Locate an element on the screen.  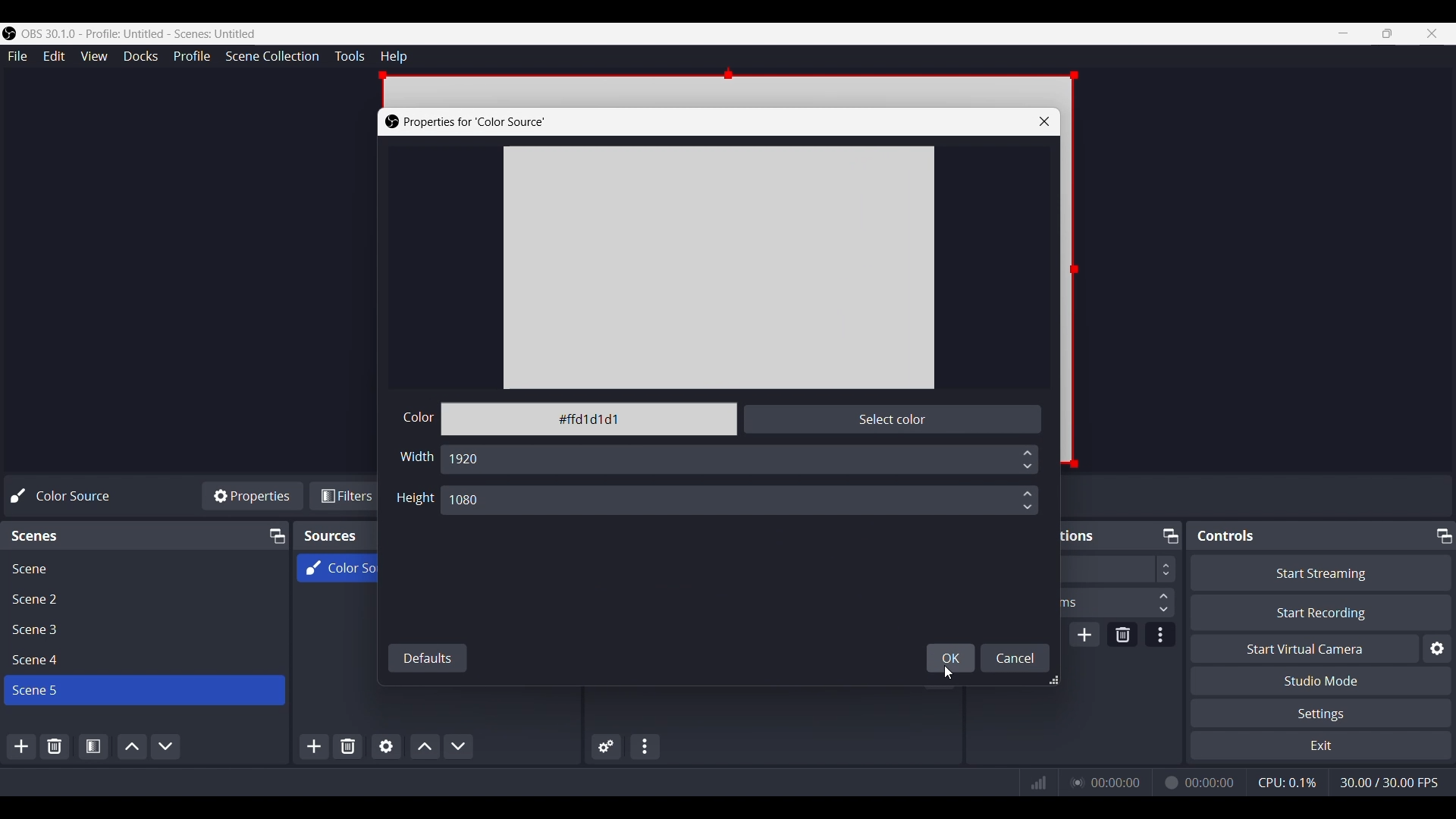
Add Sources is located at coordinates (312, 746).